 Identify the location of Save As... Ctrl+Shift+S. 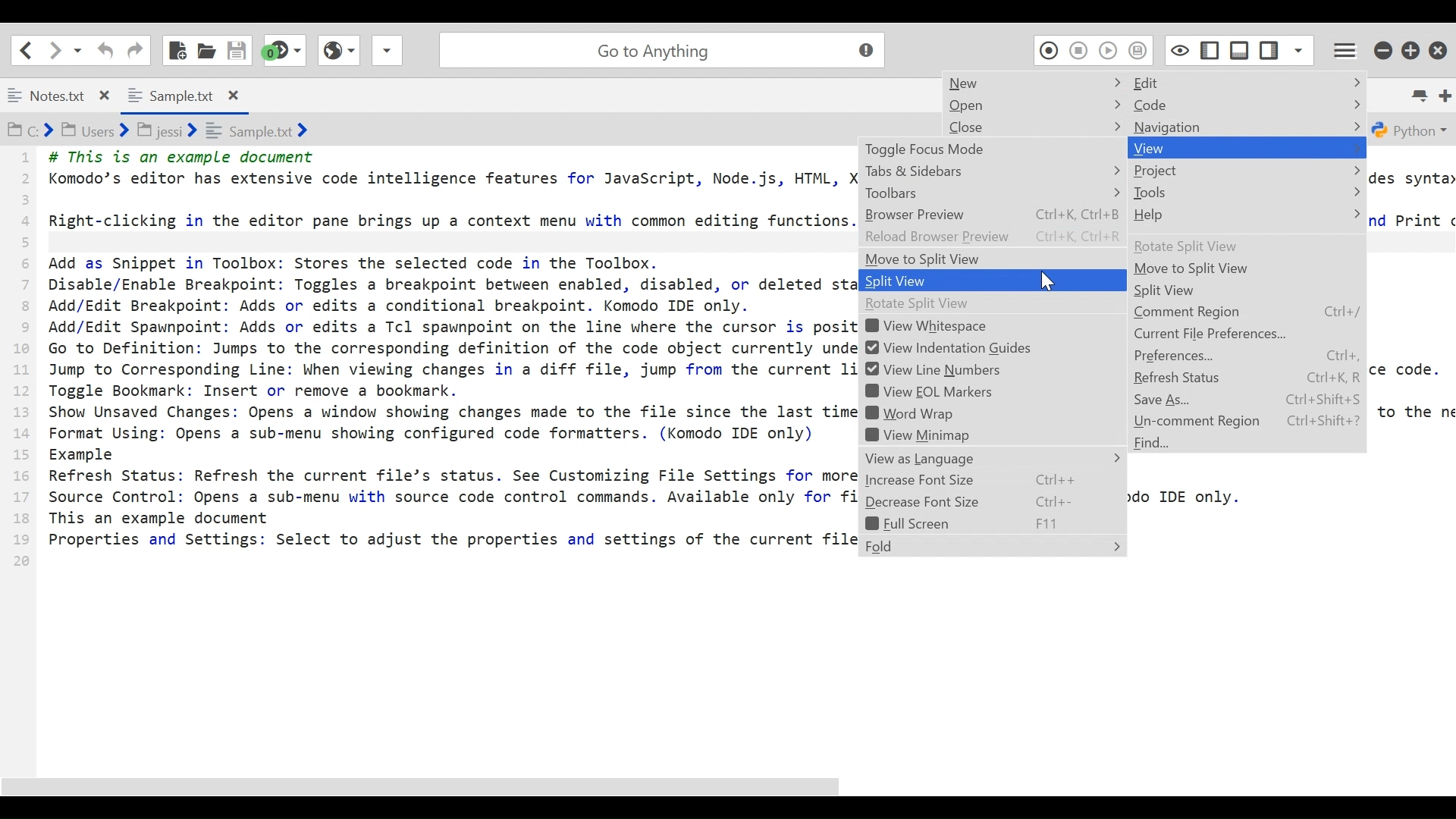
(1247, 399).